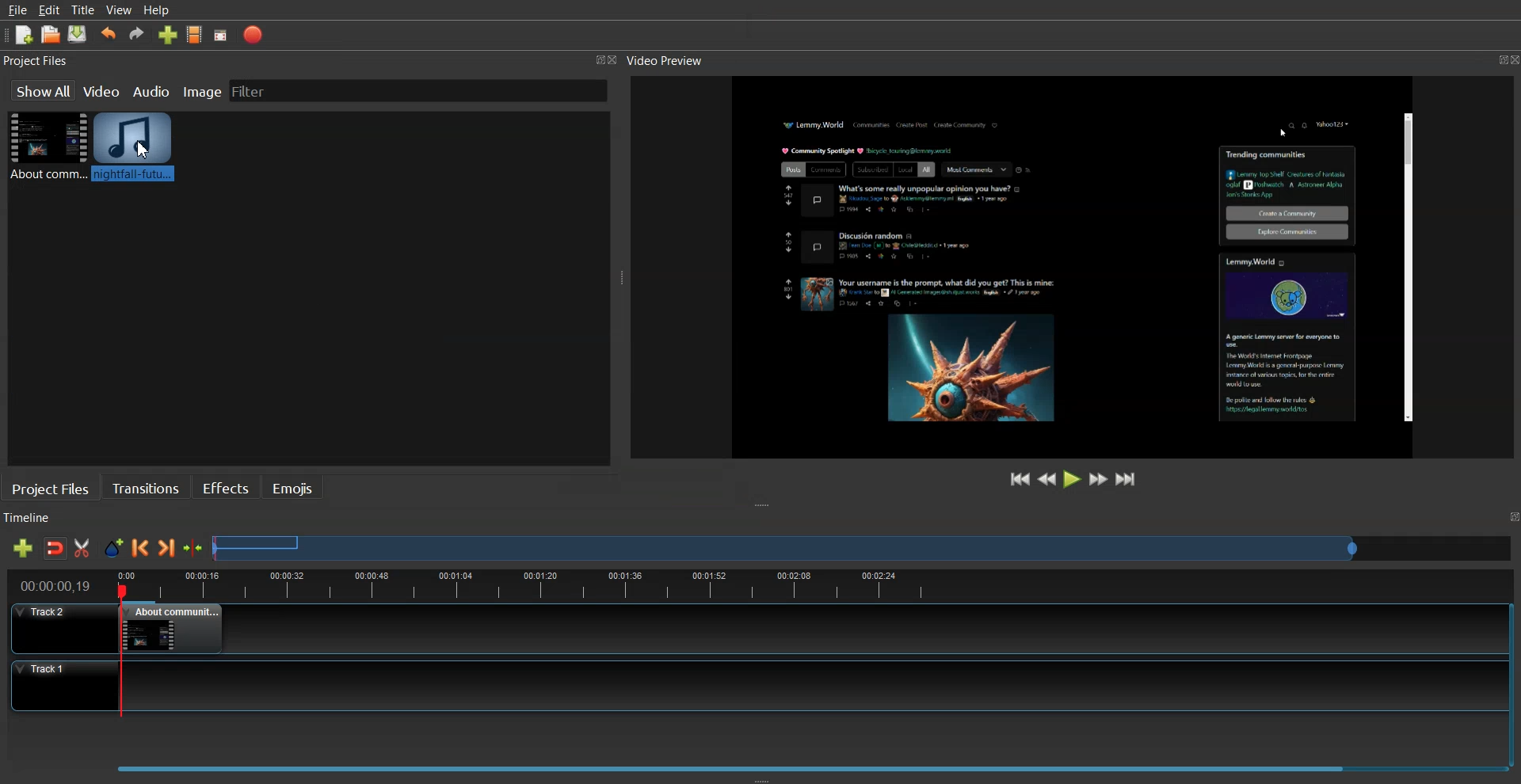  What do you see at coordinates (221, 36) in the screenshot?
I see `Full screen` at bounding box center [221, 36].